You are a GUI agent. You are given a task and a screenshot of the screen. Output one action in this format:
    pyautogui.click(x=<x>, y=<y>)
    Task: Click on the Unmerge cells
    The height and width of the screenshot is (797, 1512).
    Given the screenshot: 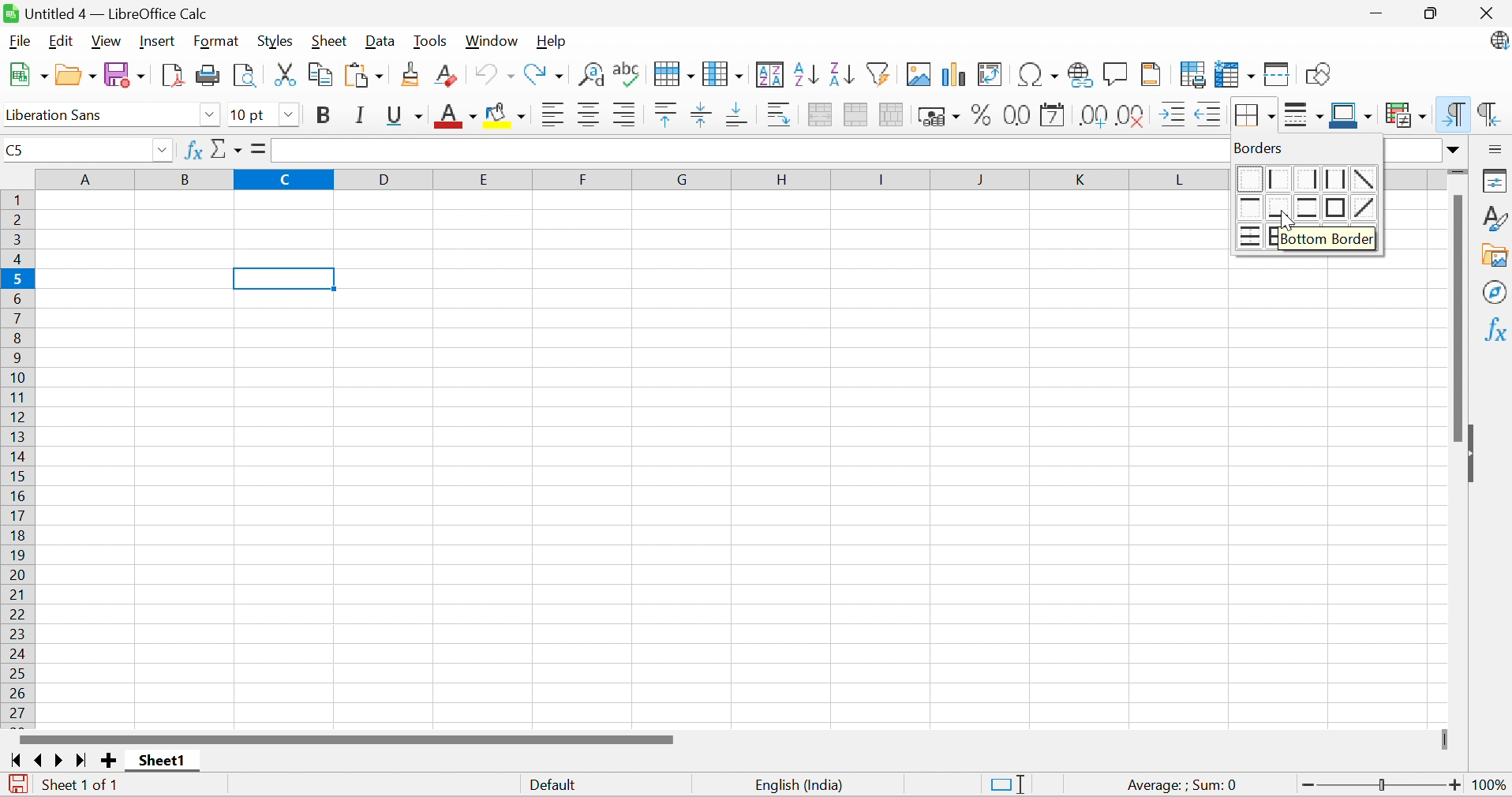 What is the action you would take?
    pyautogui.click(x=891, y=113)
    